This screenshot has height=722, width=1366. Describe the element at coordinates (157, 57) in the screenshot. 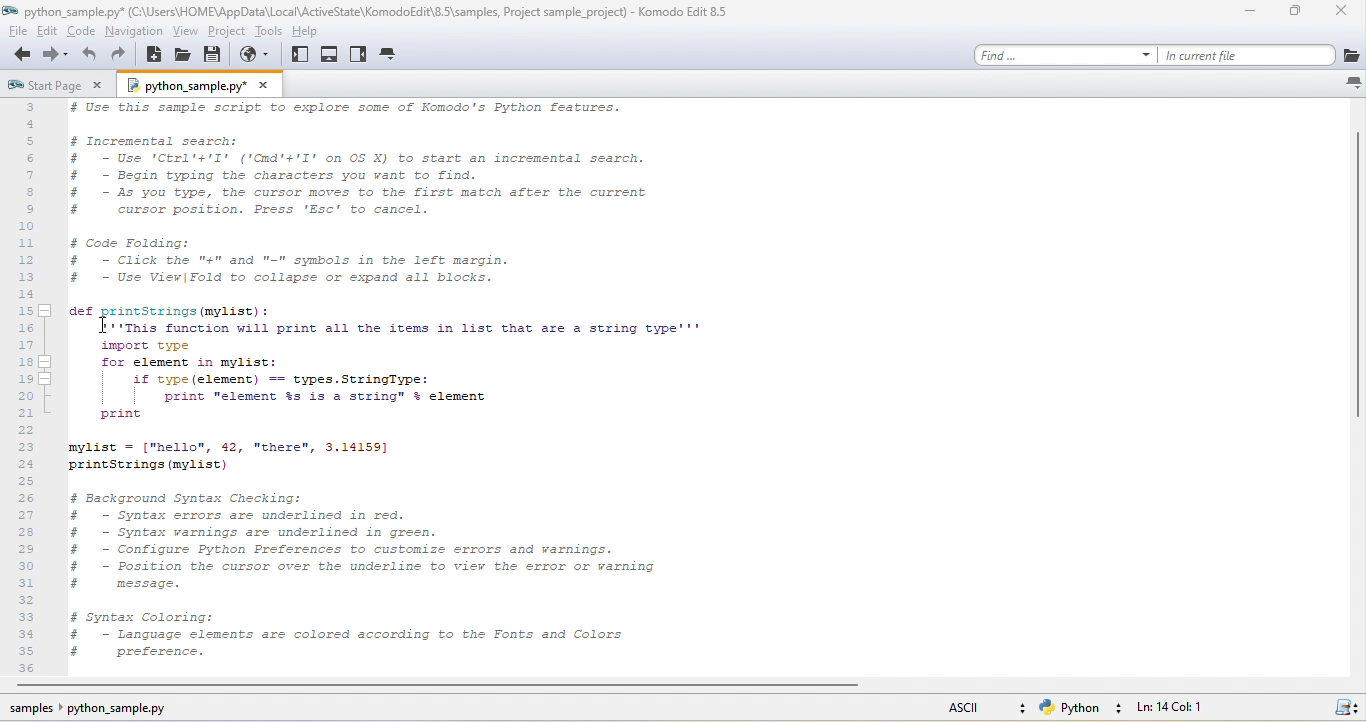

I see `new` at that location.